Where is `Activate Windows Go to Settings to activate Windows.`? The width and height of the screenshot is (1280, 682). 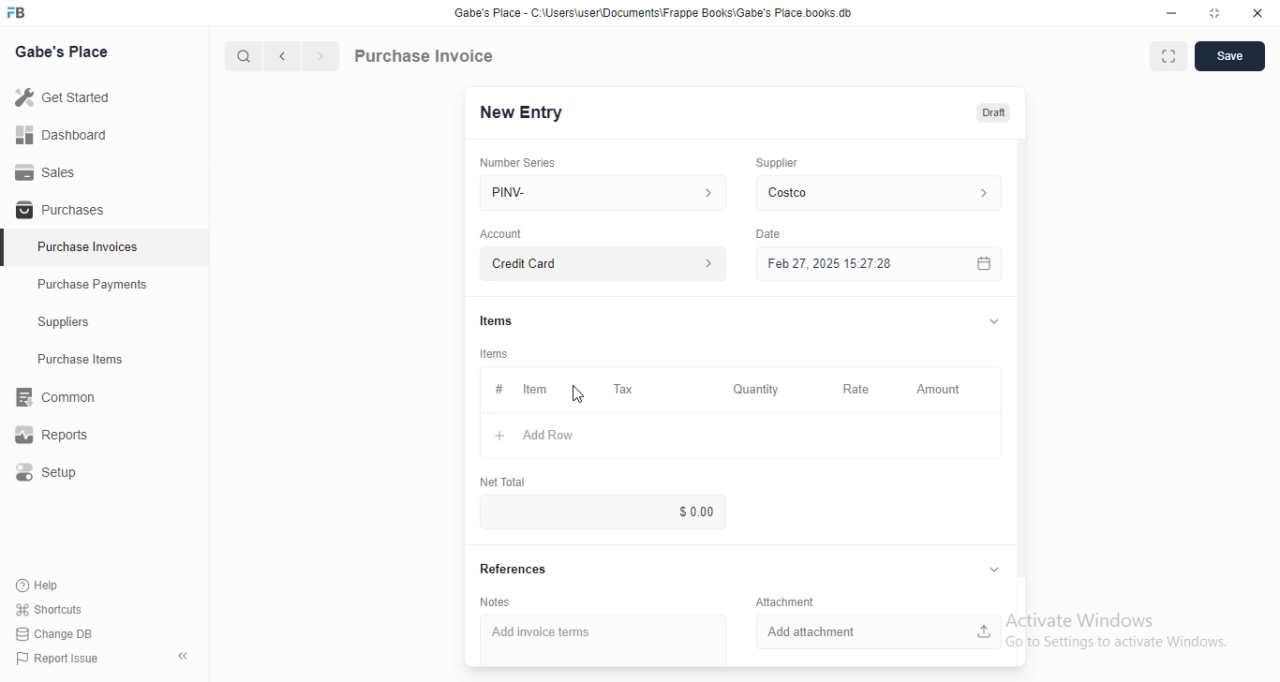
Activate Windows Go to Settings to activate Windows. is located at coordinates (1117, 630).